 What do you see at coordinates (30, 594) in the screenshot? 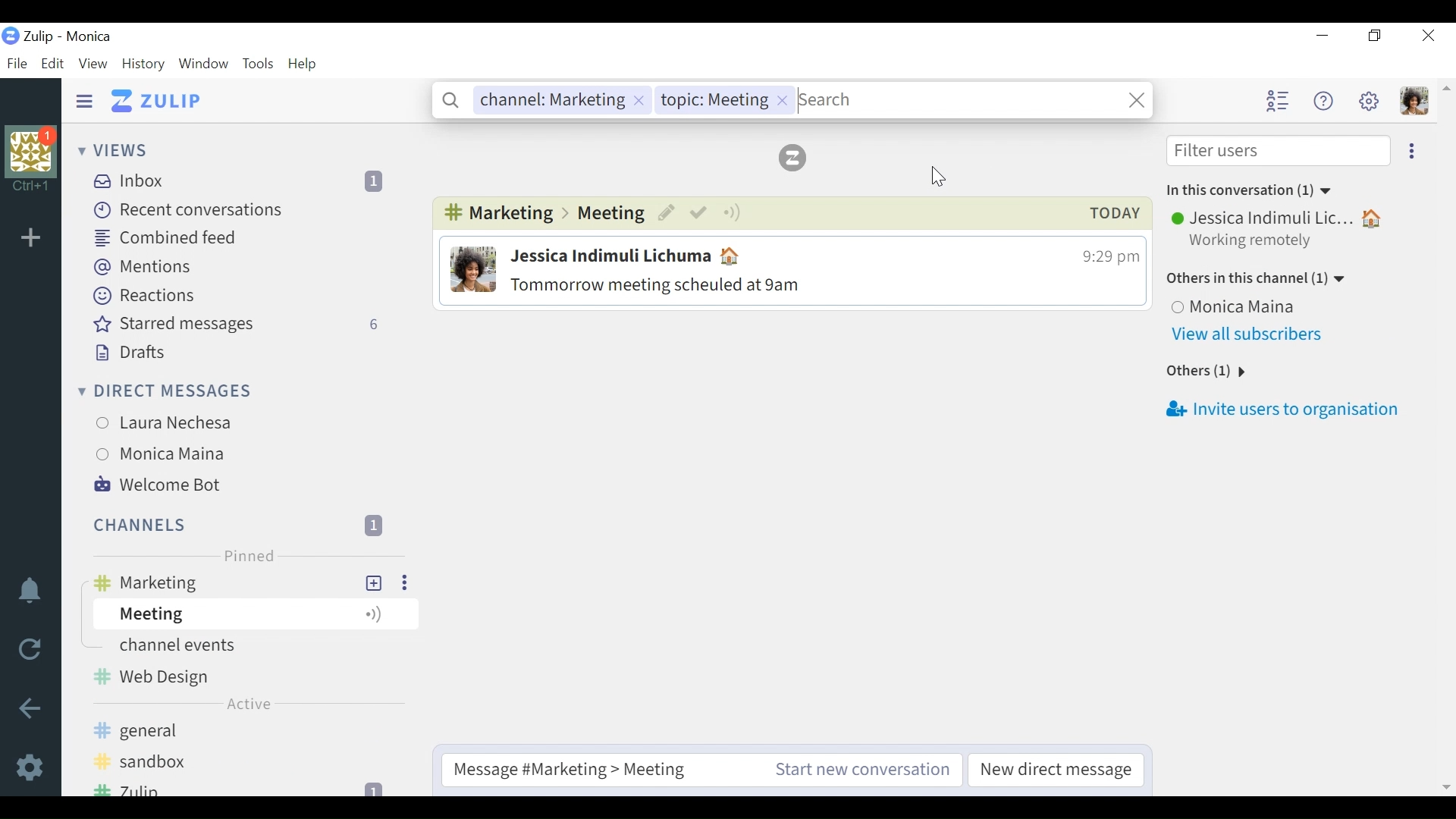
I see `Notifications` at bounding box center [30, 594].